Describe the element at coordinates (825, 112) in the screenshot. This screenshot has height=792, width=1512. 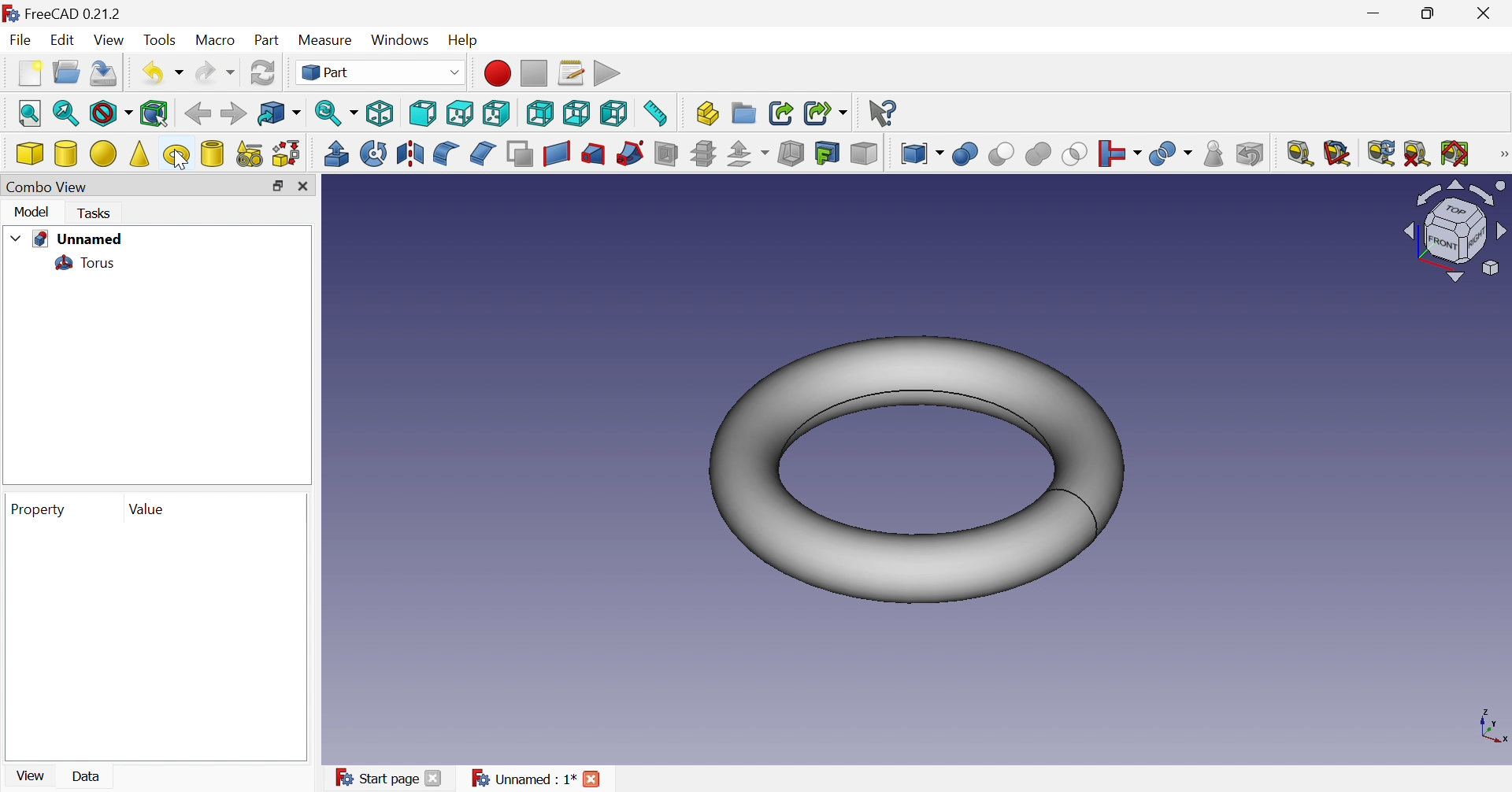
I see `Make sub-link` at that location.